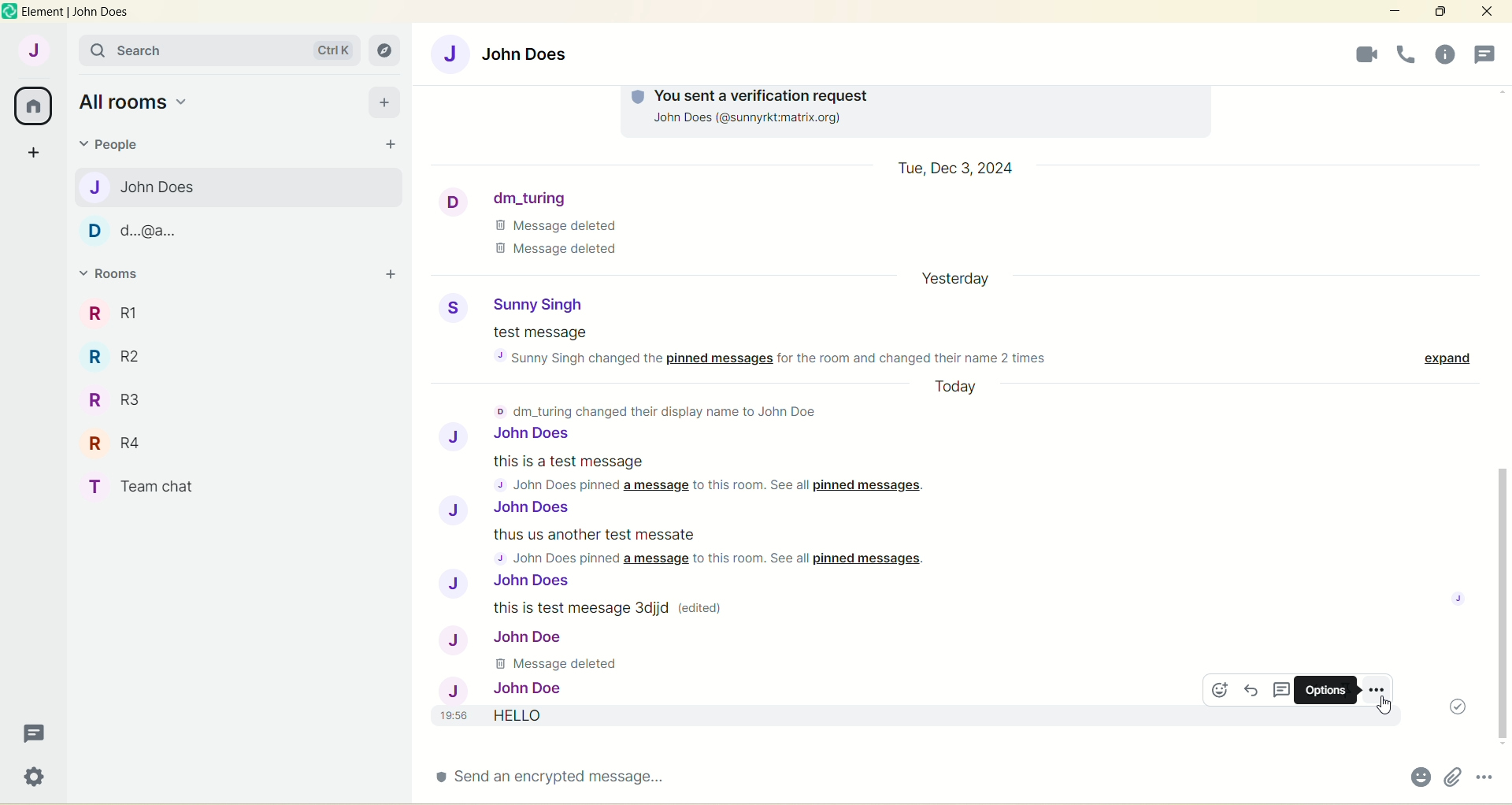 This screenshot has height=805, width=1512. I want to click on Sunny Singh, so click(514, 305).